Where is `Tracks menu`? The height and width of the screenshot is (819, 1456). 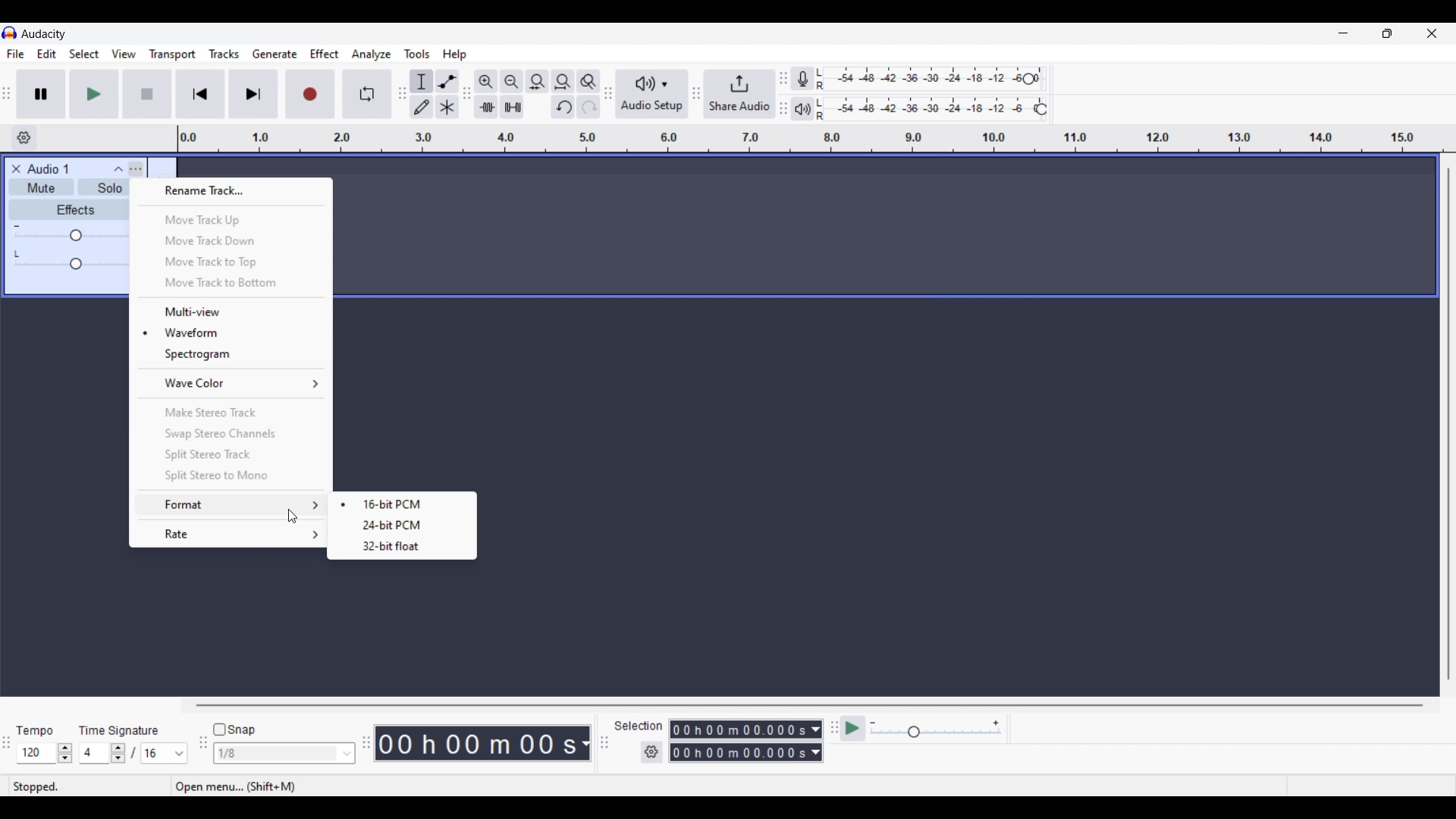
Tracks menu is located at coordinates (224, 54).